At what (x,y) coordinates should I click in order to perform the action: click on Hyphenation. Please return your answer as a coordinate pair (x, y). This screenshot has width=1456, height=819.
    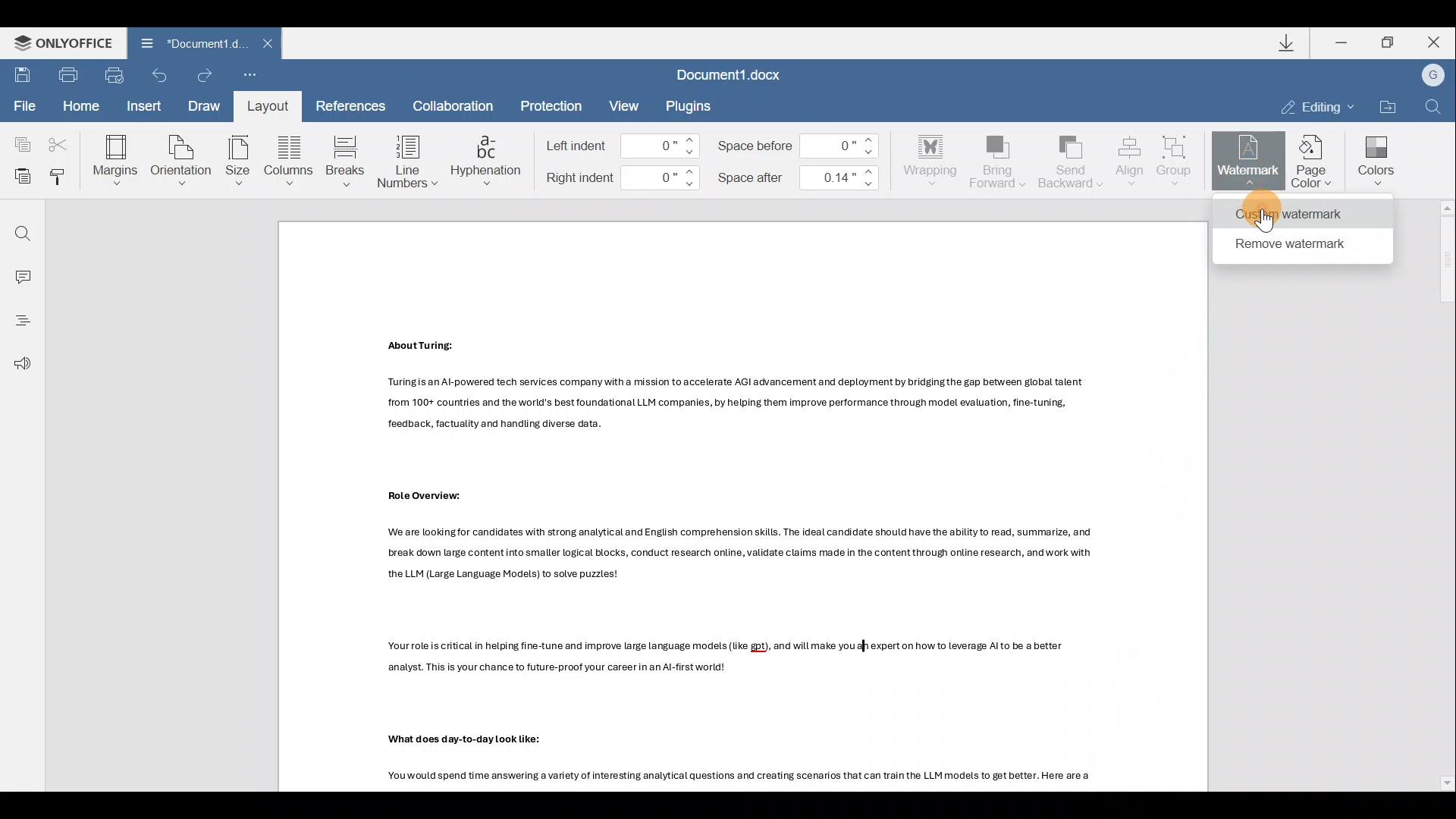
    Looking at the image, I should click on (488, 162).